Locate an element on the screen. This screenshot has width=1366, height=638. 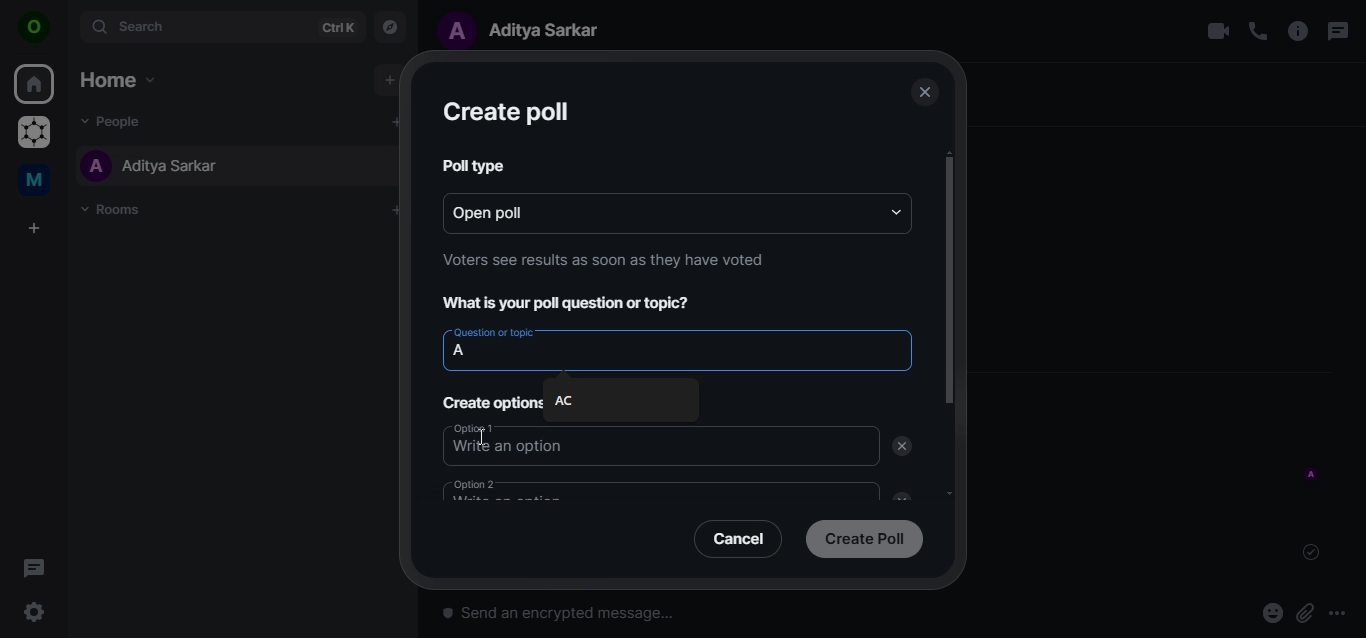
react is located at coordinates (1273, 615).